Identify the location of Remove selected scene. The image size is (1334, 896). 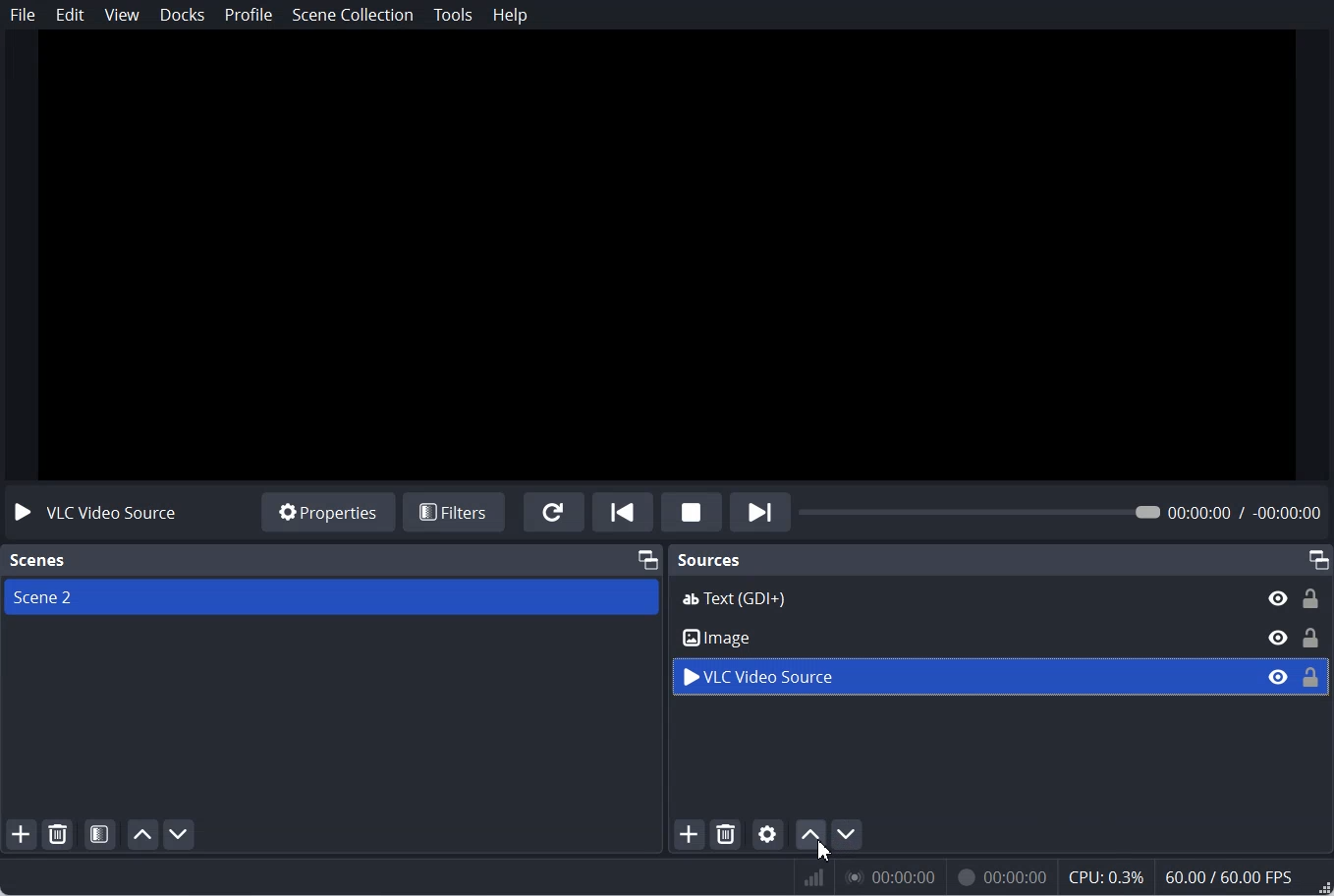
(59, 834).